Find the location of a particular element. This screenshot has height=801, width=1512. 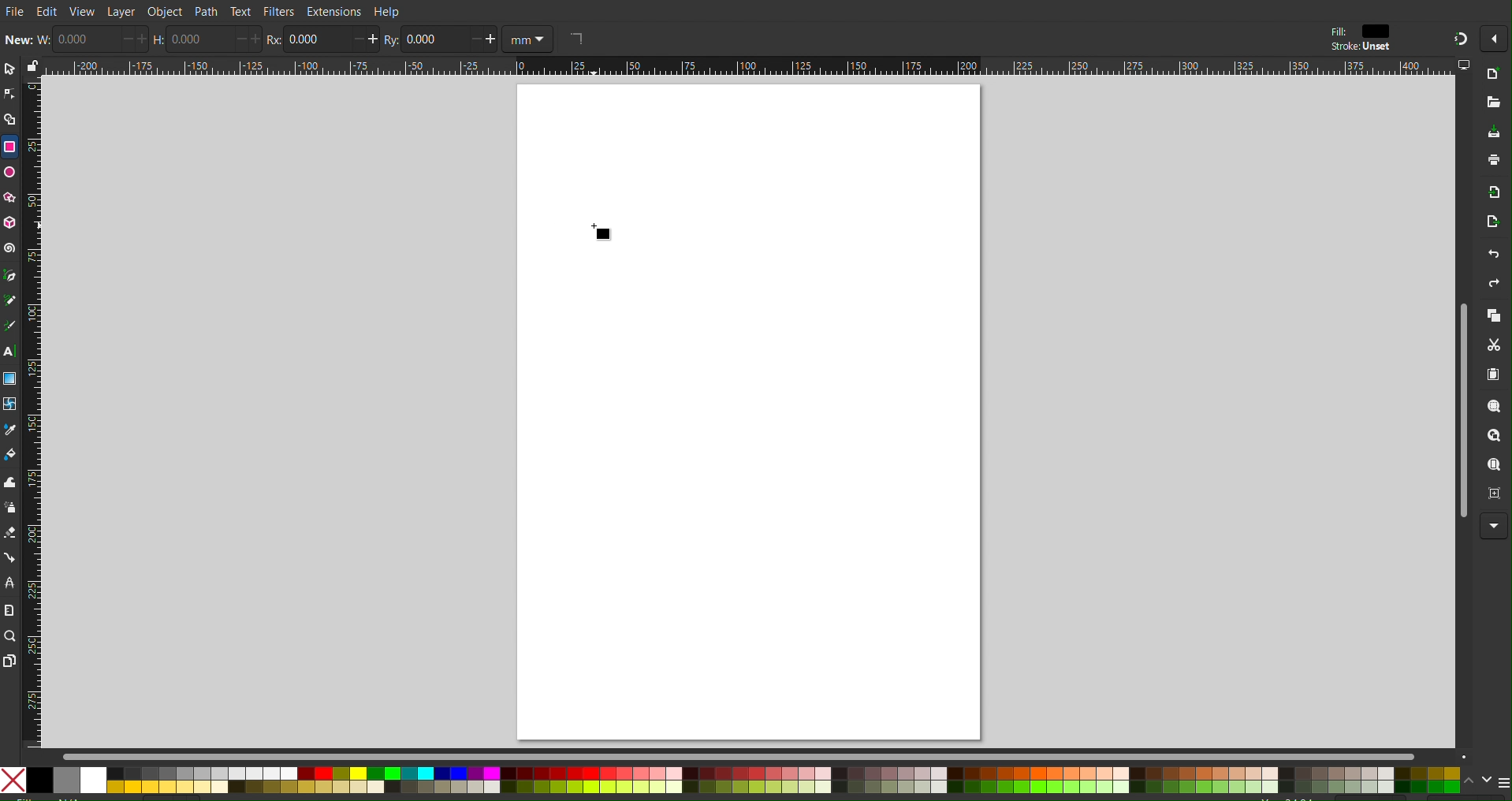

Snapping is located at coordinates (1458, 36).